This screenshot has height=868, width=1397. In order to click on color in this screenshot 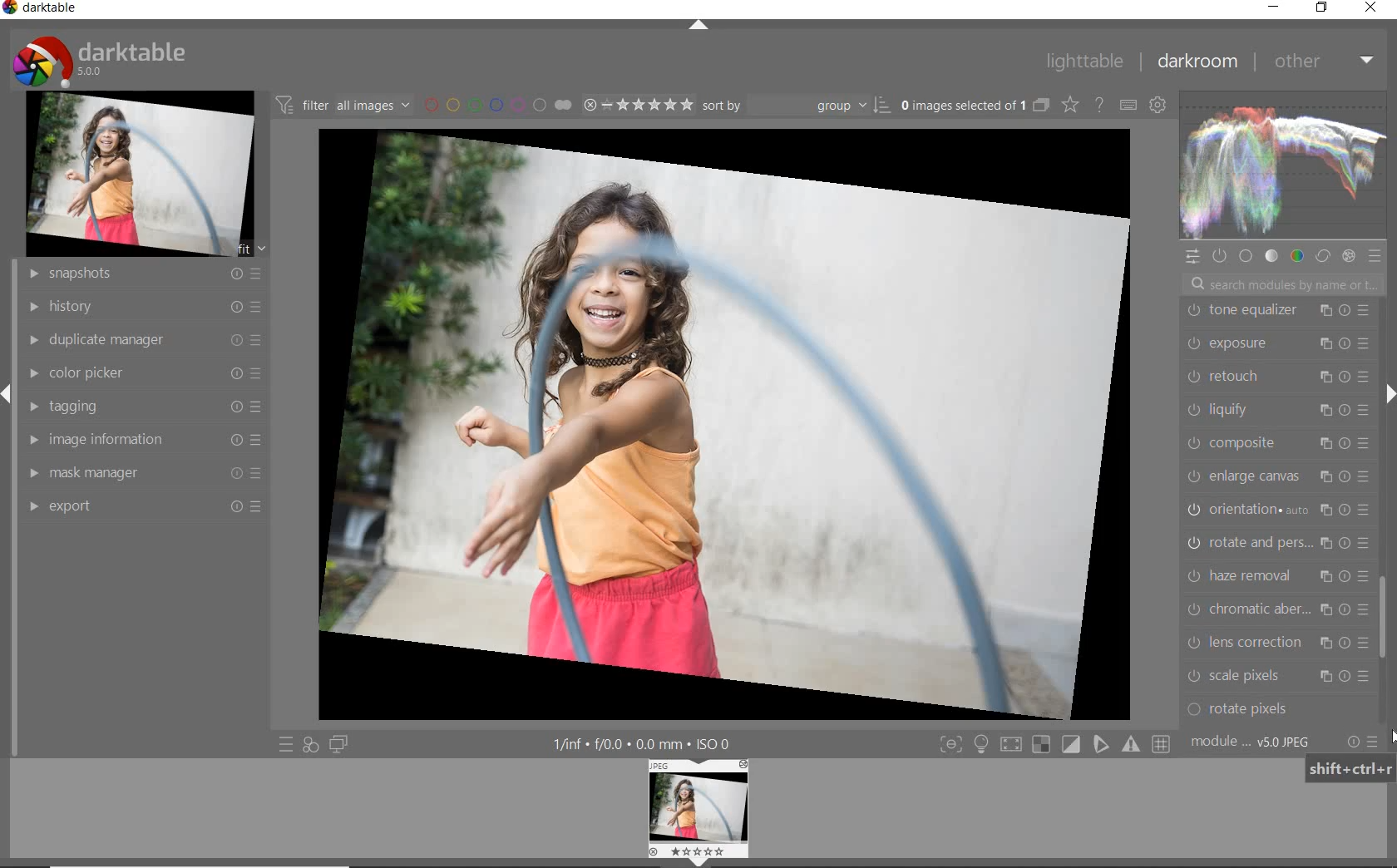, I will do `click(1298, 258)`.